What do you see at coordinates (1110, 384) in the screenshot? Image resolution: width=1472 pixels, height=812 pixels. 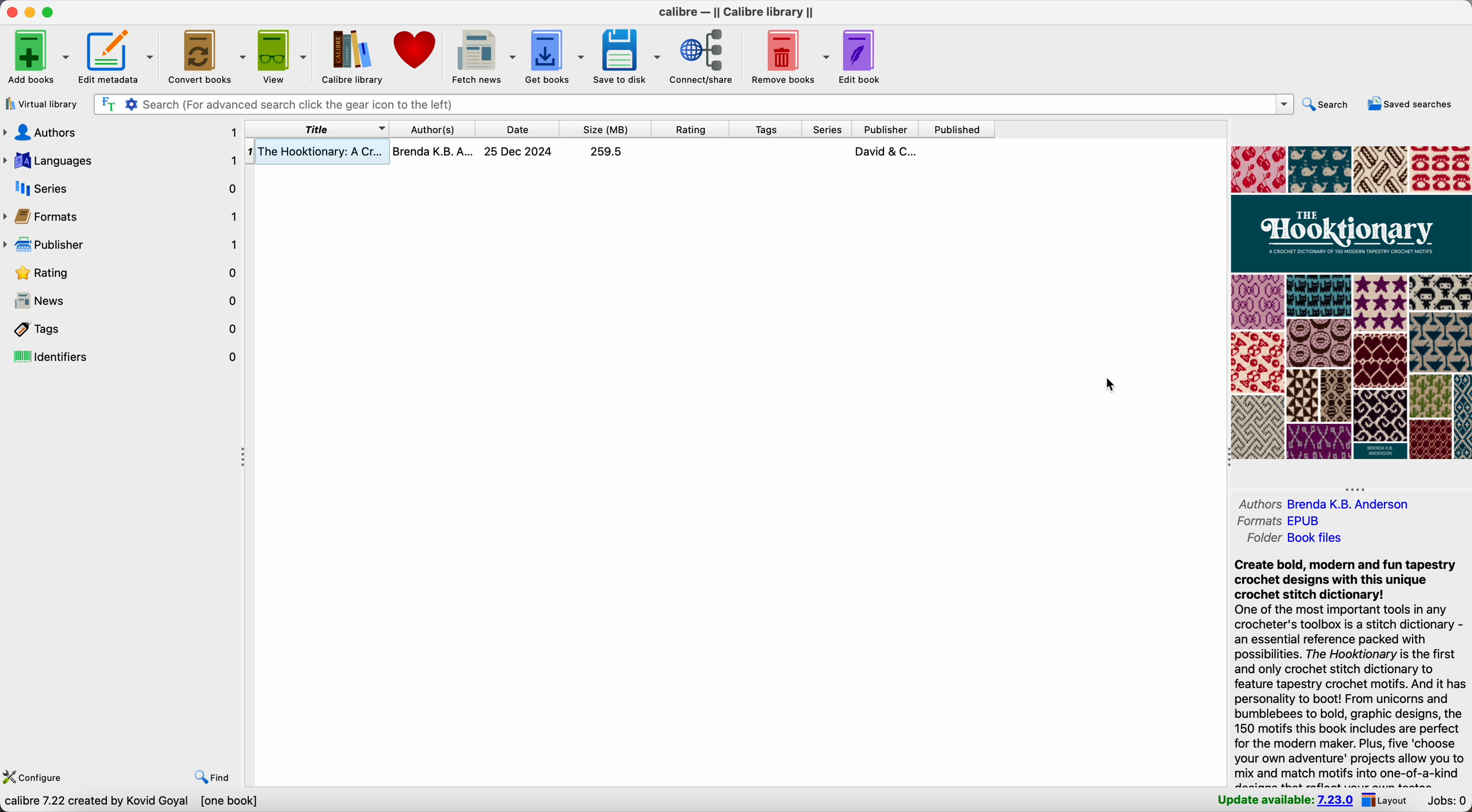 I see `cursor` at bounding box center [1110, 384].